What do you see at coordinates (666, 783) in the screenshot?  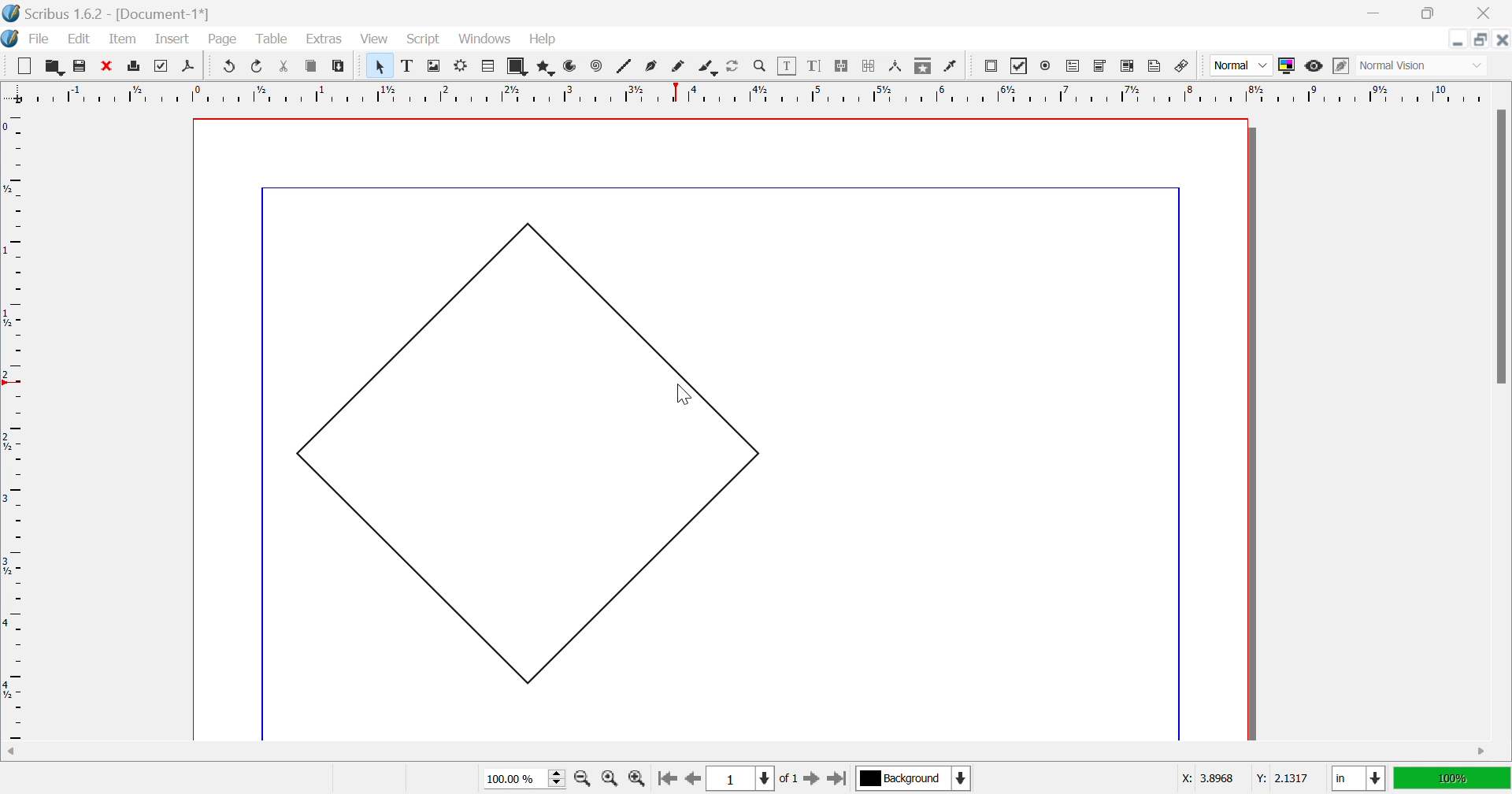 I see `Go to the first page` at bounding box center [666, 783].